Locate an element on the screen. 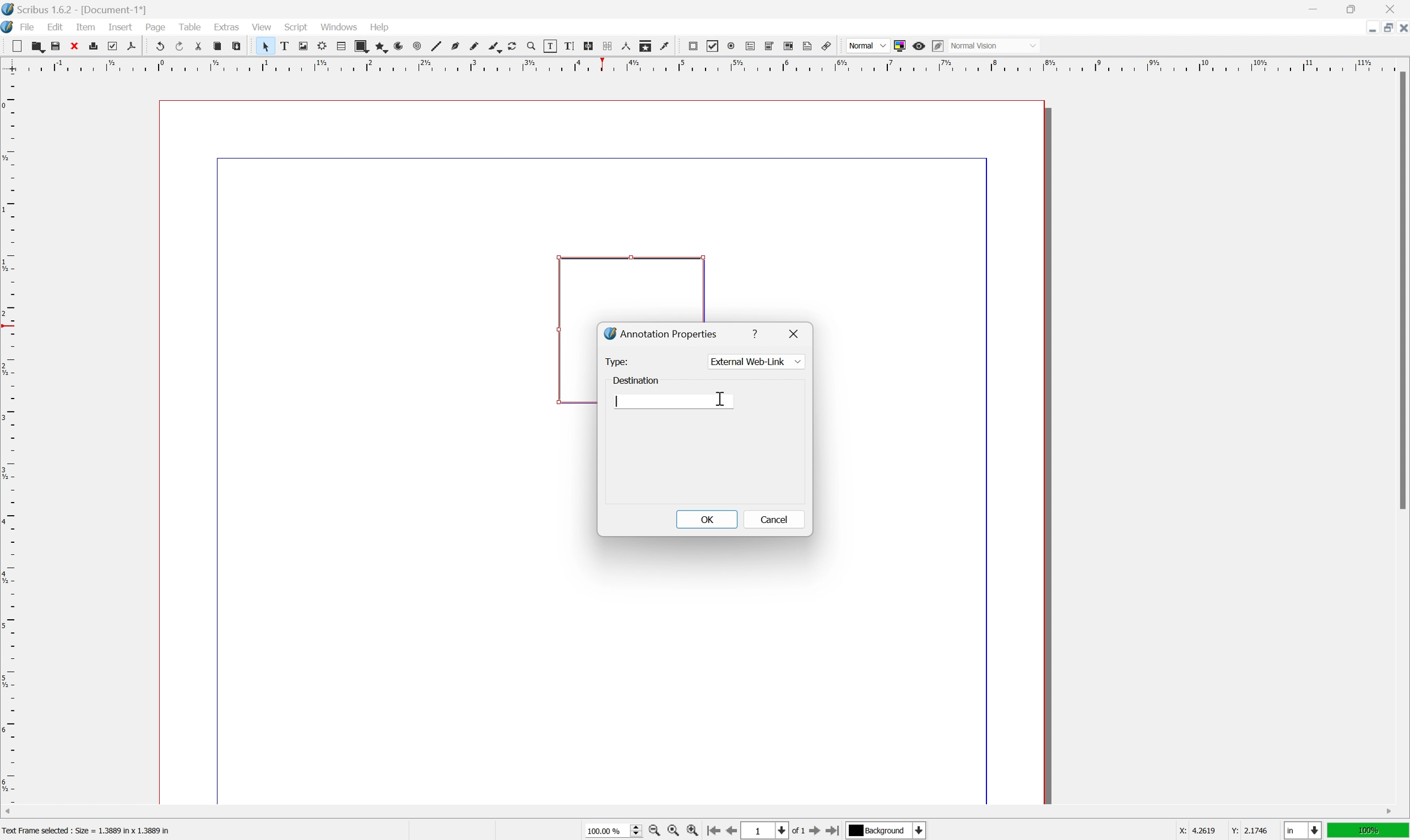 The image size is (1410, 840). type: is located at coordinates (619, 362).